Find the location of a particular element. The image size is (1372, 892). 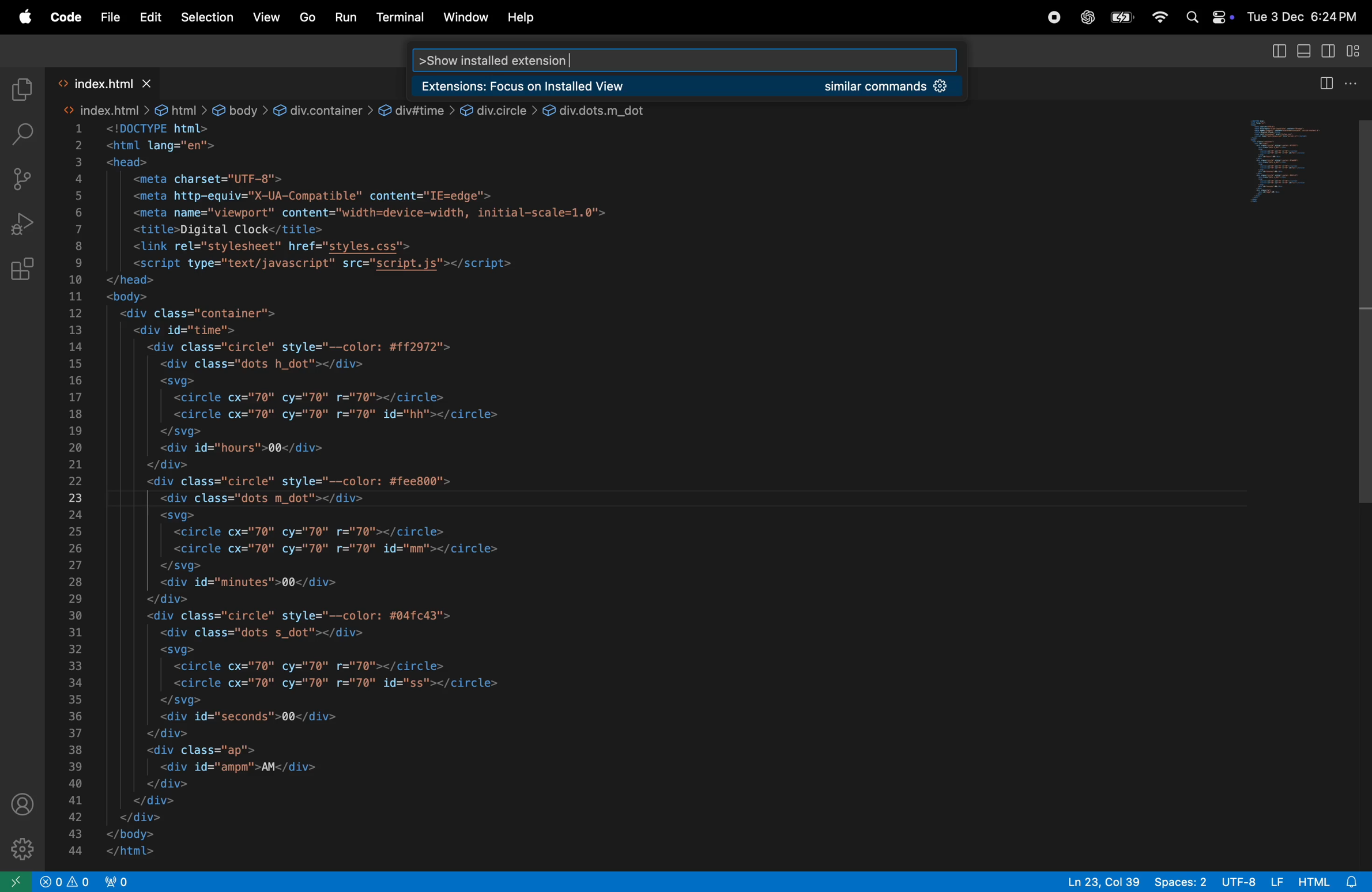

source control is located at coordinates (20, 177).